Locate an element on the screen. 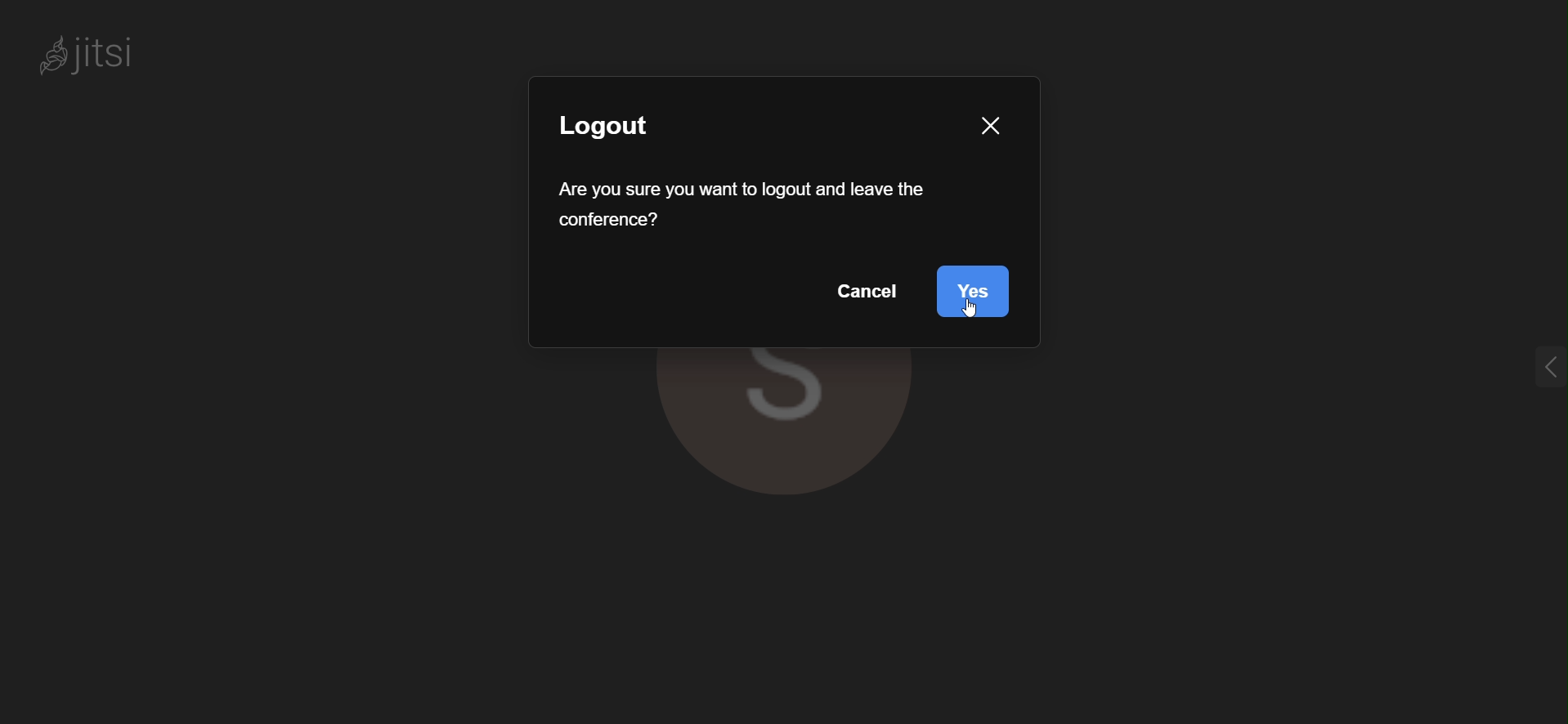 This screenshot has height=724, width=1568. display picture is located at coordinates (781, 426).